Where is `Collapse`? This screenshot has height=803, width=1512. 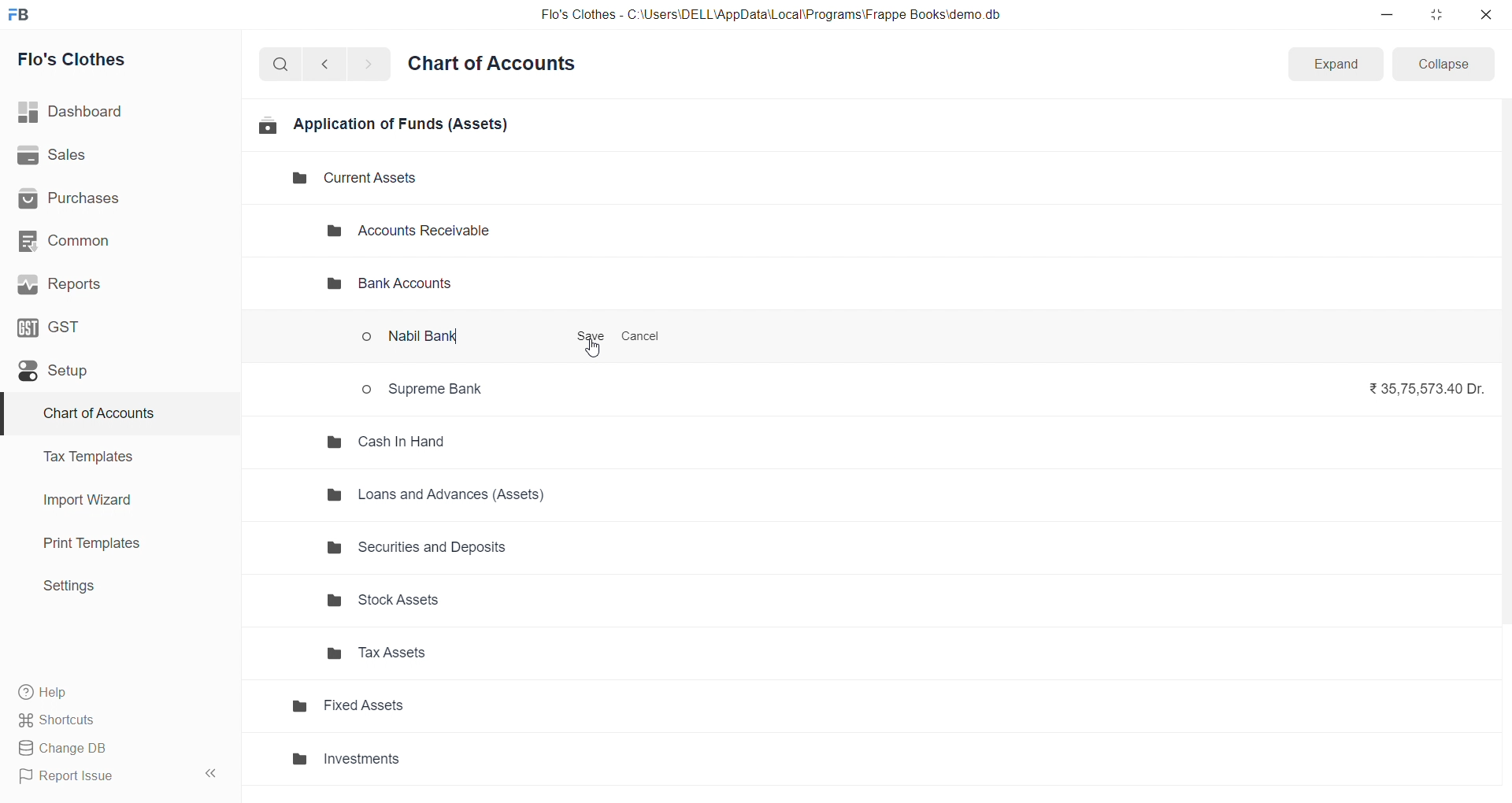 Collapse is located at coordinates (1444, 63).